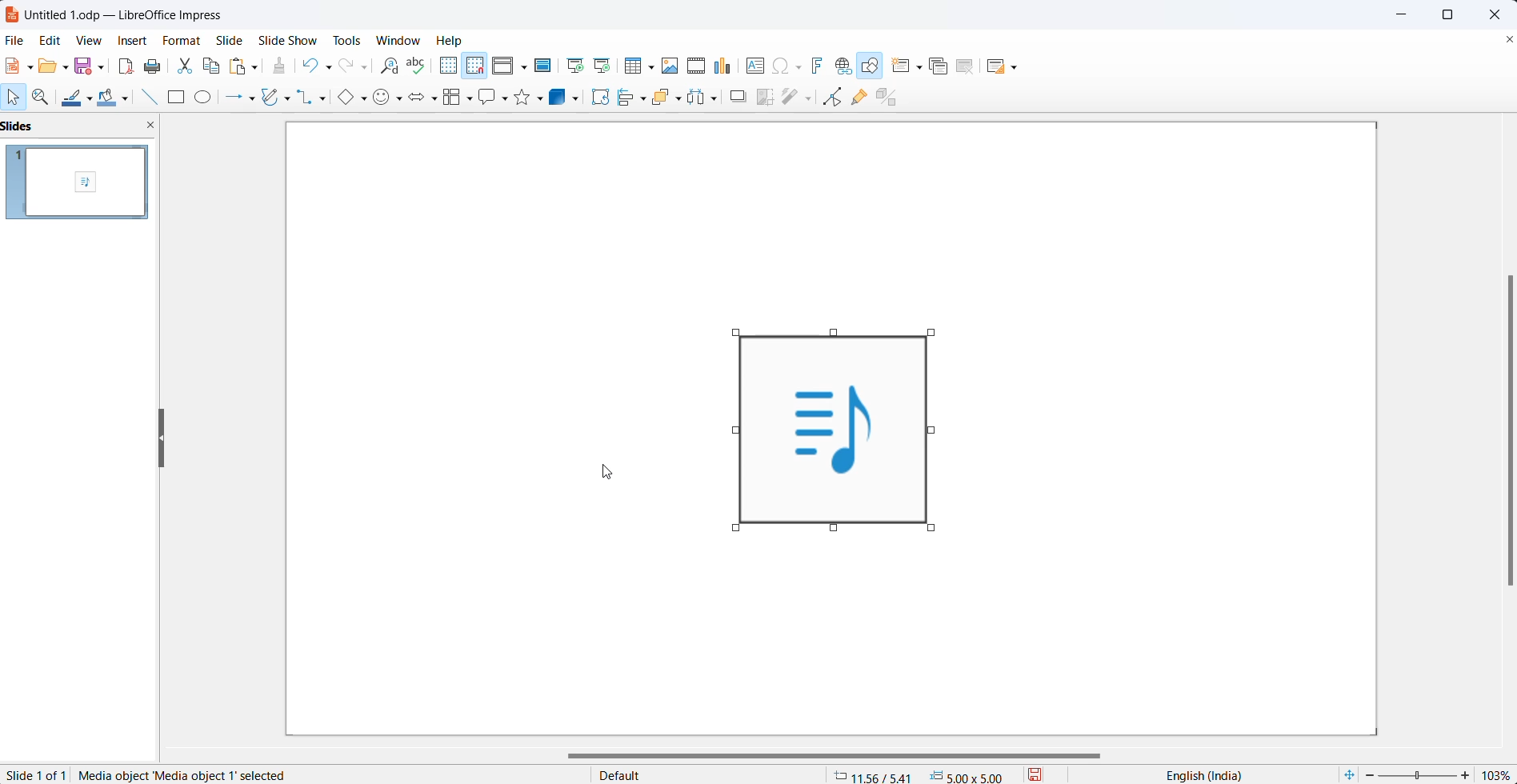 This screenshot has height=784, width=1517. What do you see at coordinates (756, 65) in the screenshot?
I see `insert text` at bounding box center [756, 65].